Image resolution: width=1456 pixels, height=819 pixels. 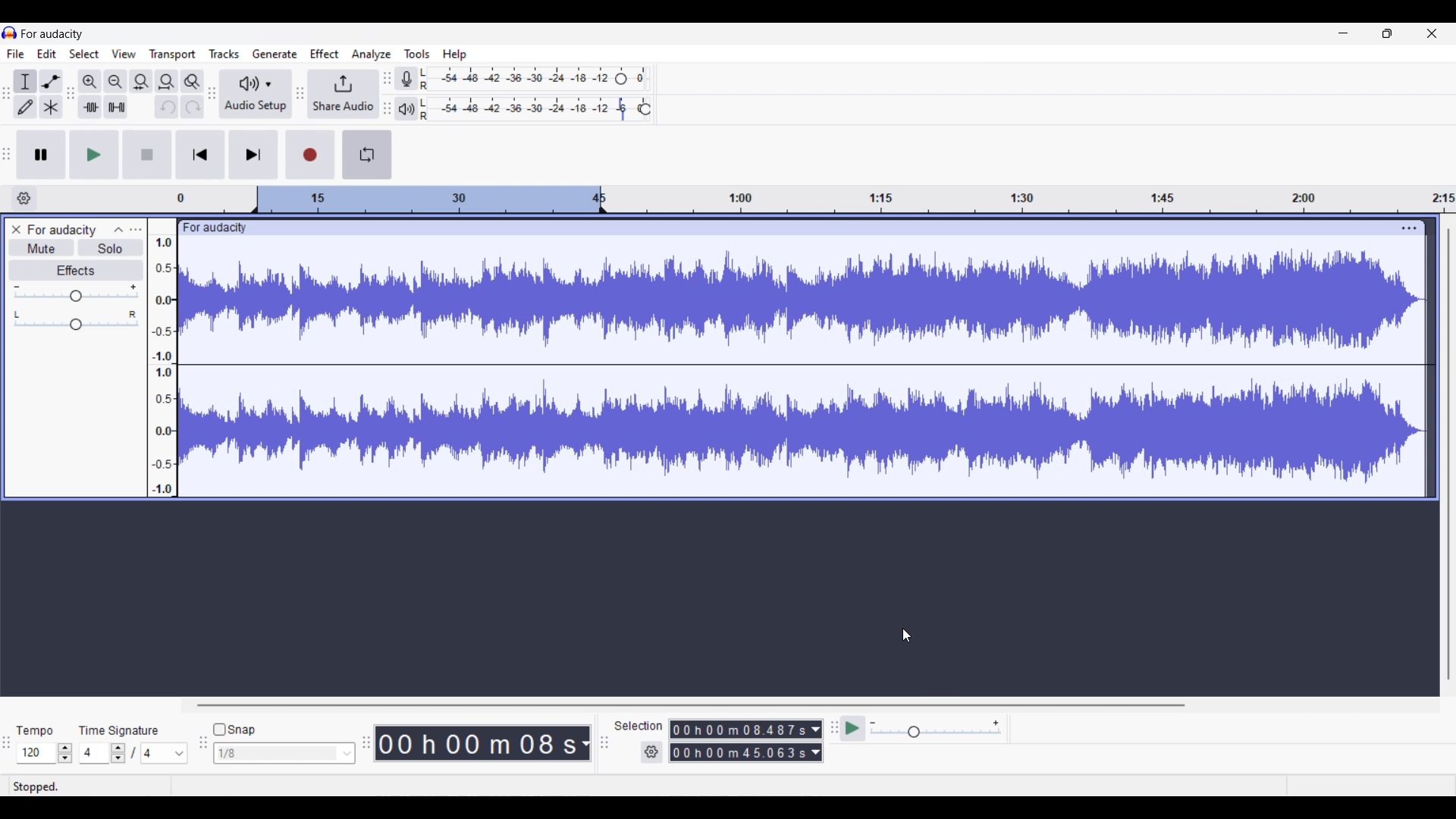 I want to click on Close track, so click(x=17, y=229).